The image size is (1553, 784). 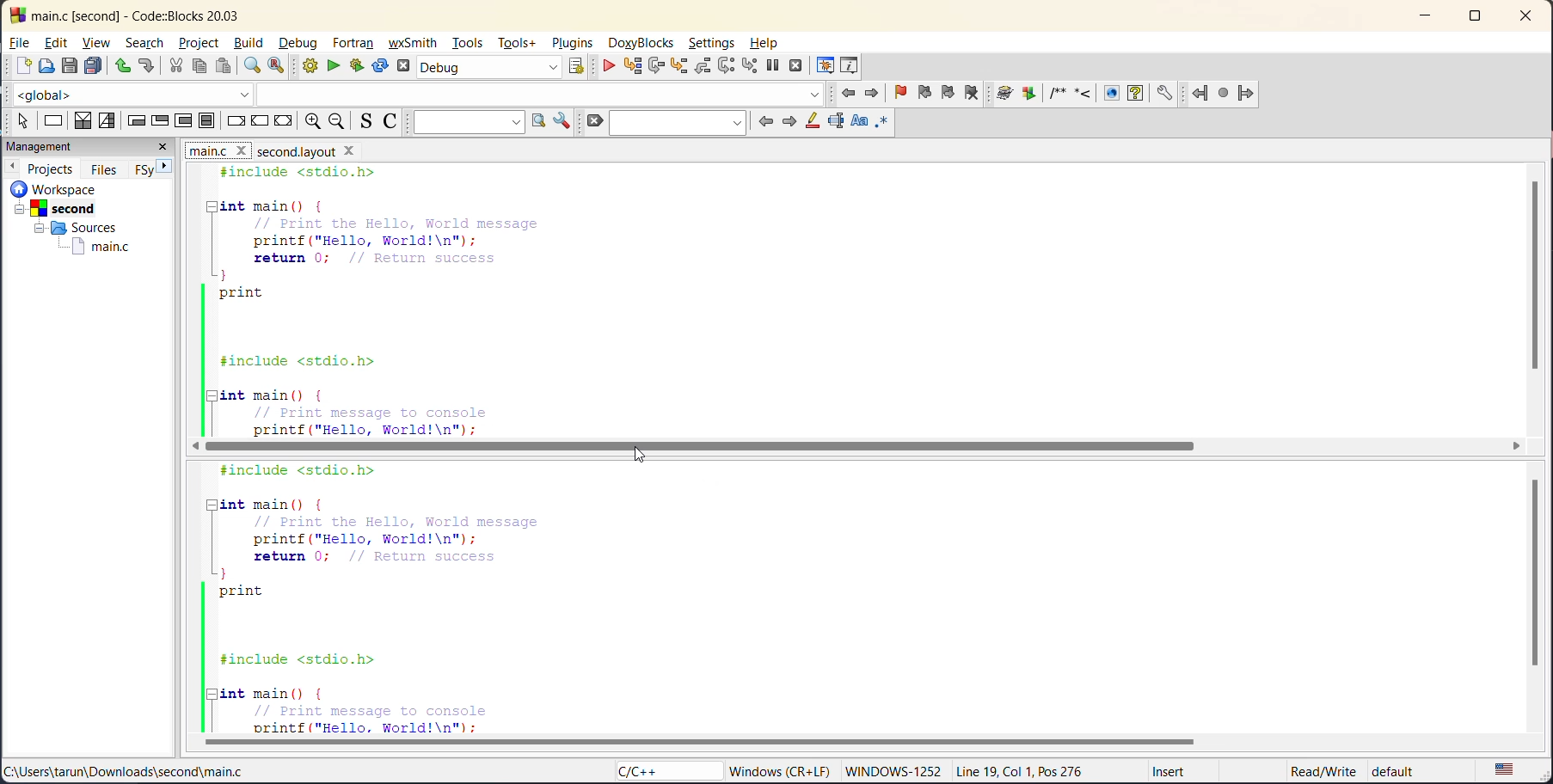 I want to click on debug, so click(x=301, y=41).